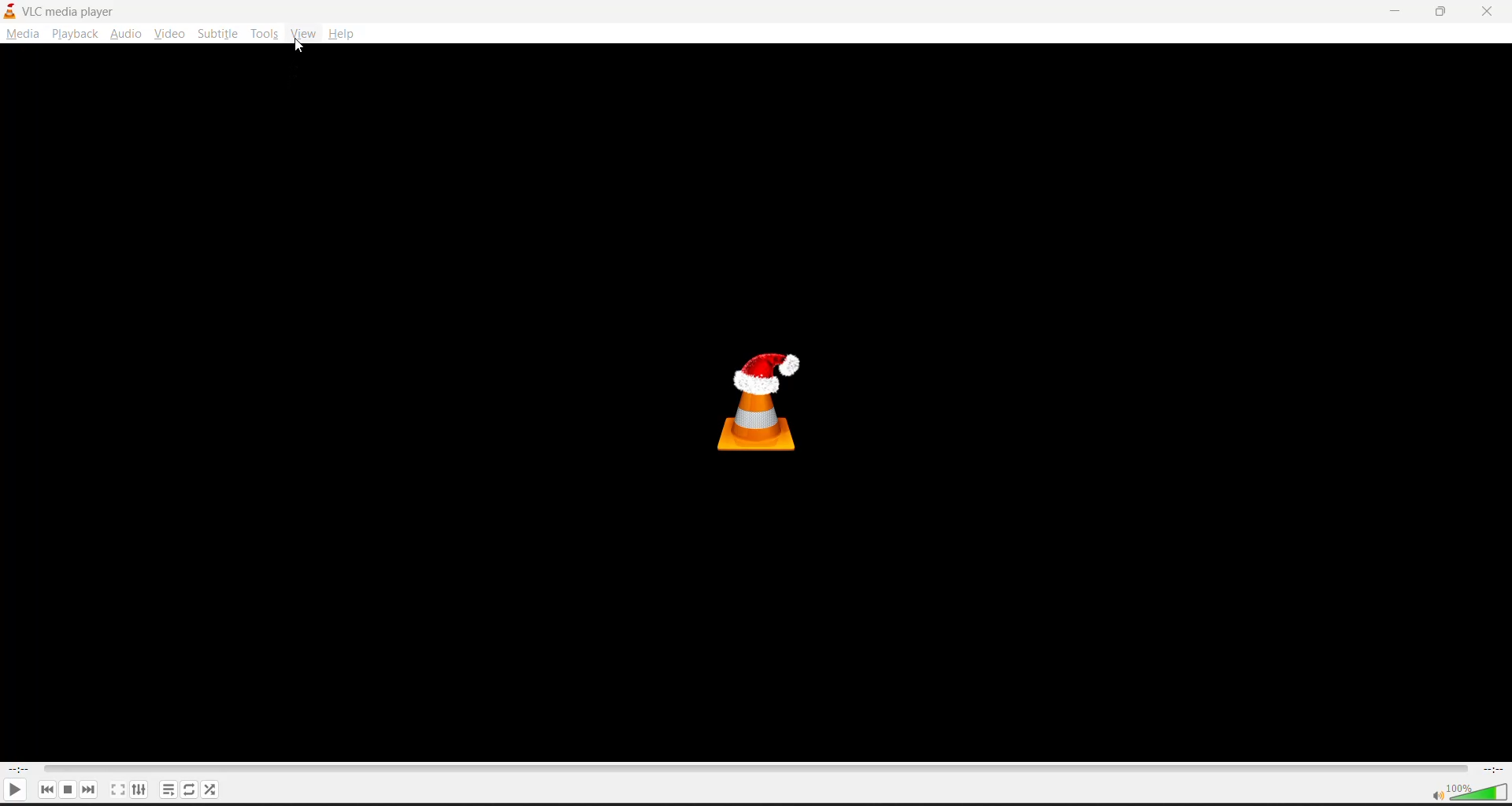 The width and height of the screenshot is (1512, 806). Describe the element at coordinates (24, 34) in the screenshot. I see `media` at that location.